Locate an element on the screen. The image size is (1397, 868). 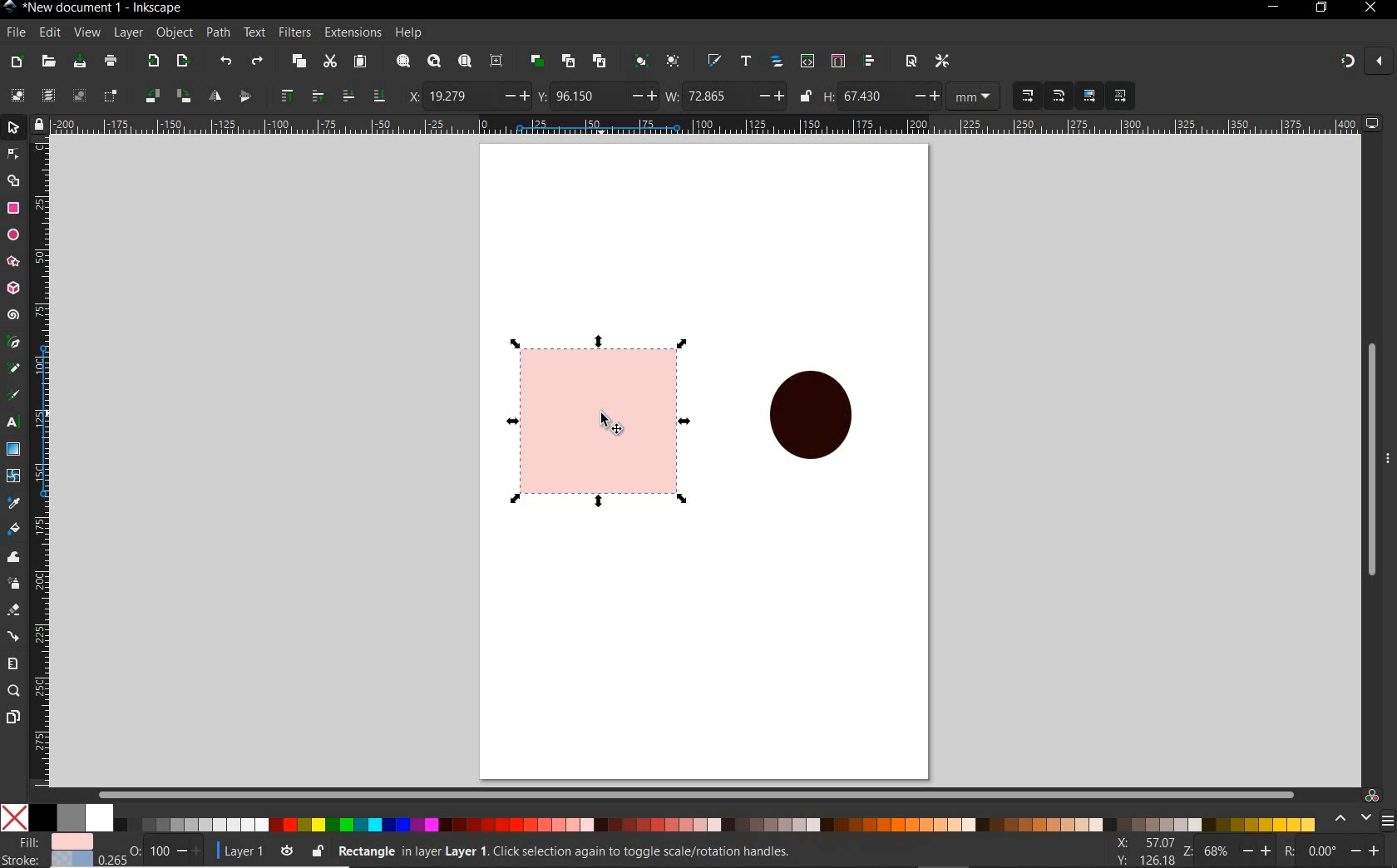
copy is located at coordinates (299, 62).